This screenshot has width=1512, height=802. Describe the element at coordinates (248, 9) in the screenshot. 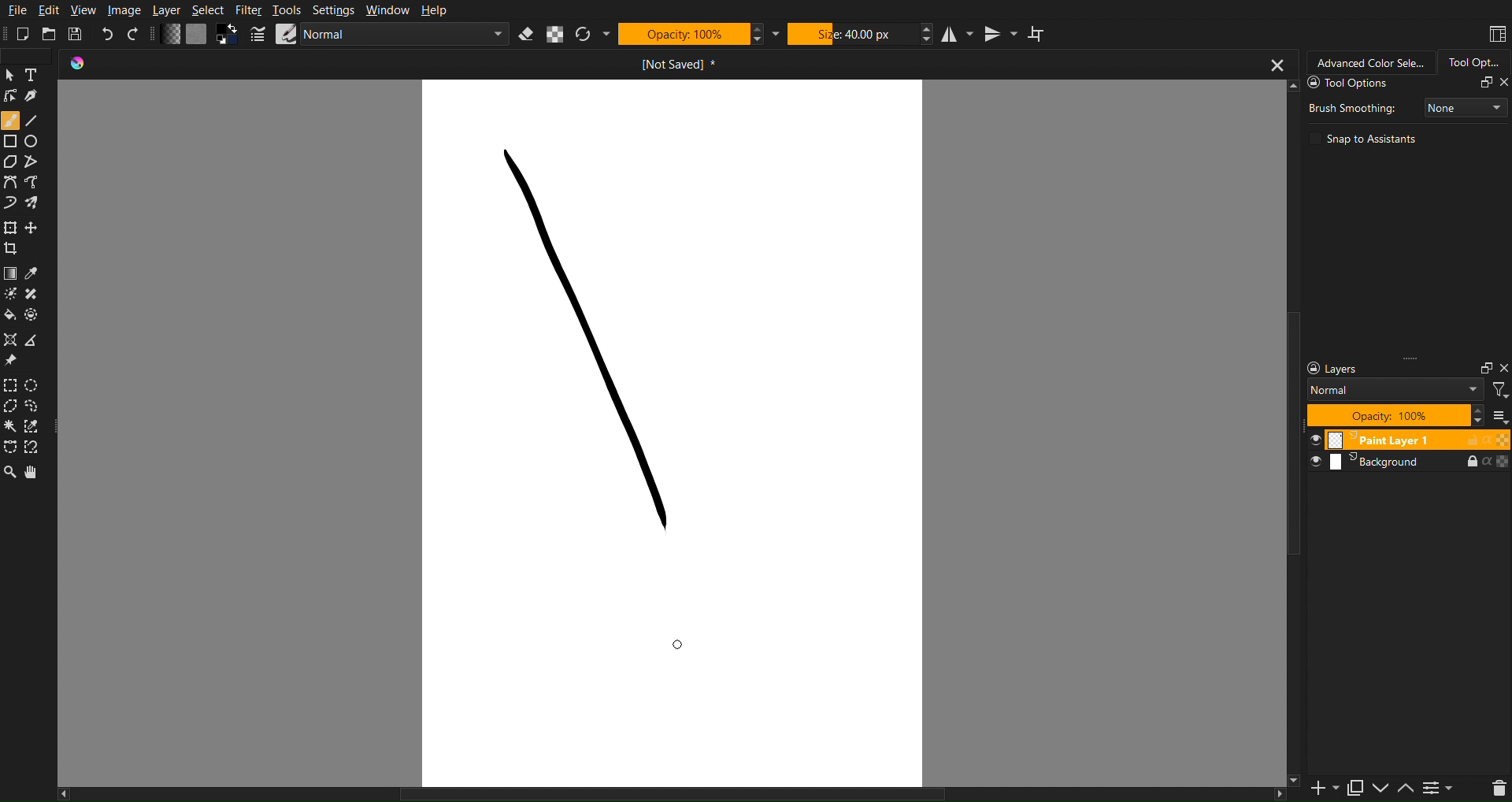

I see `Filter` at that location.